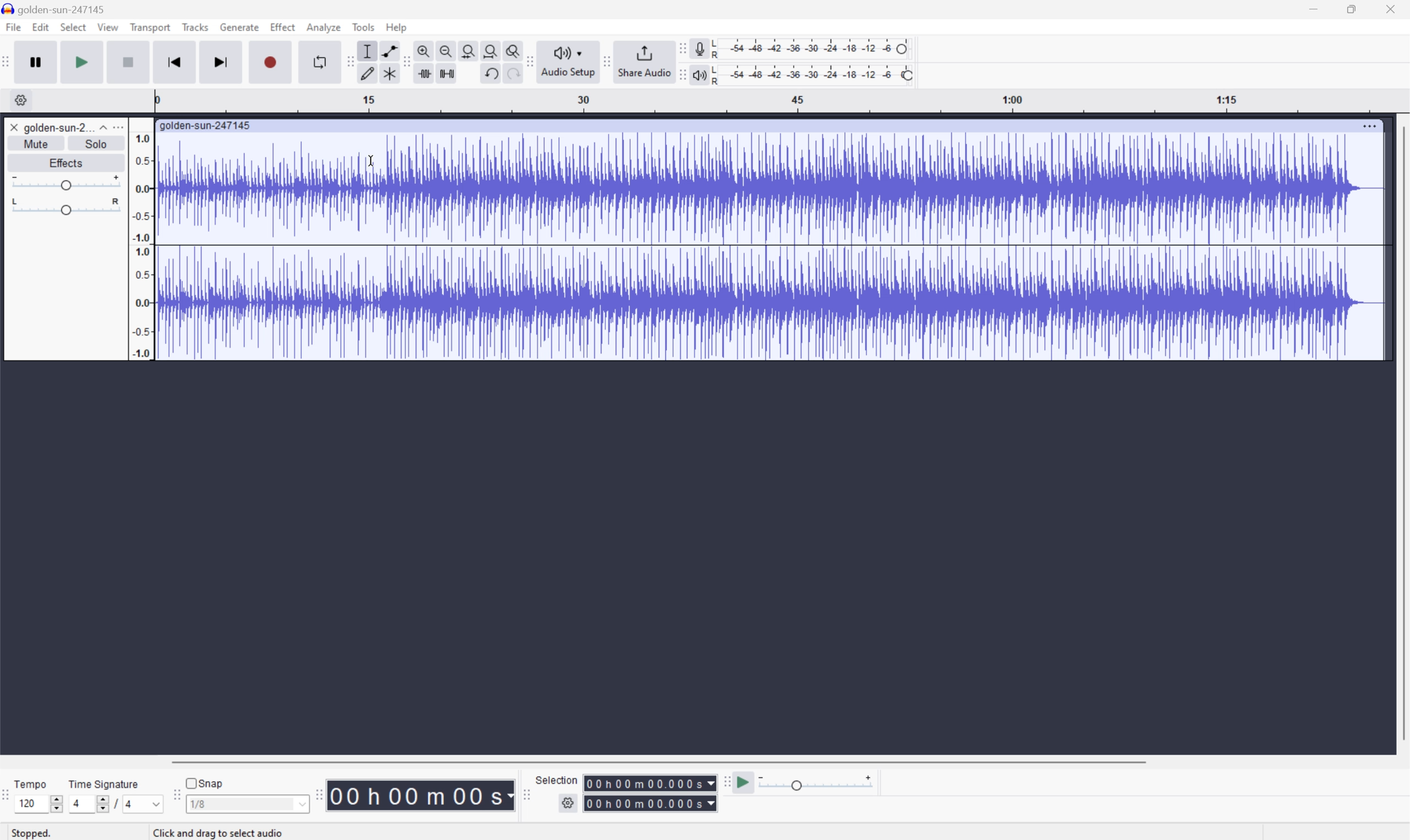 The height and width of the screenshot is (840, 1410). Describe the element at coordinates (323, 27) in the screenshot. I see `Analyze` at that location.